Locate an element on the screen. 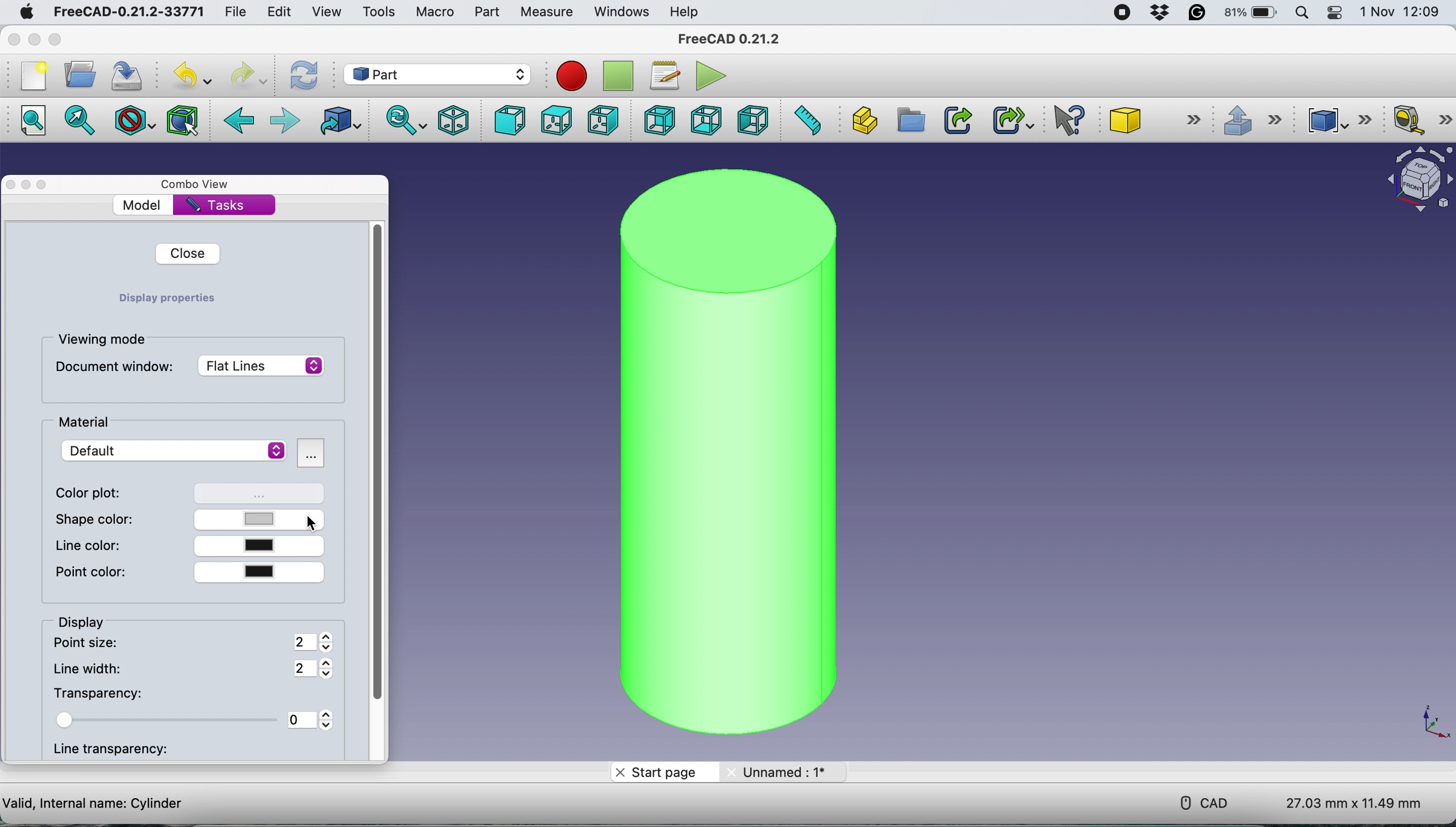 This screenshot has height=827, width=1456. vertical scroll bar is located at coordinates (381, 463).